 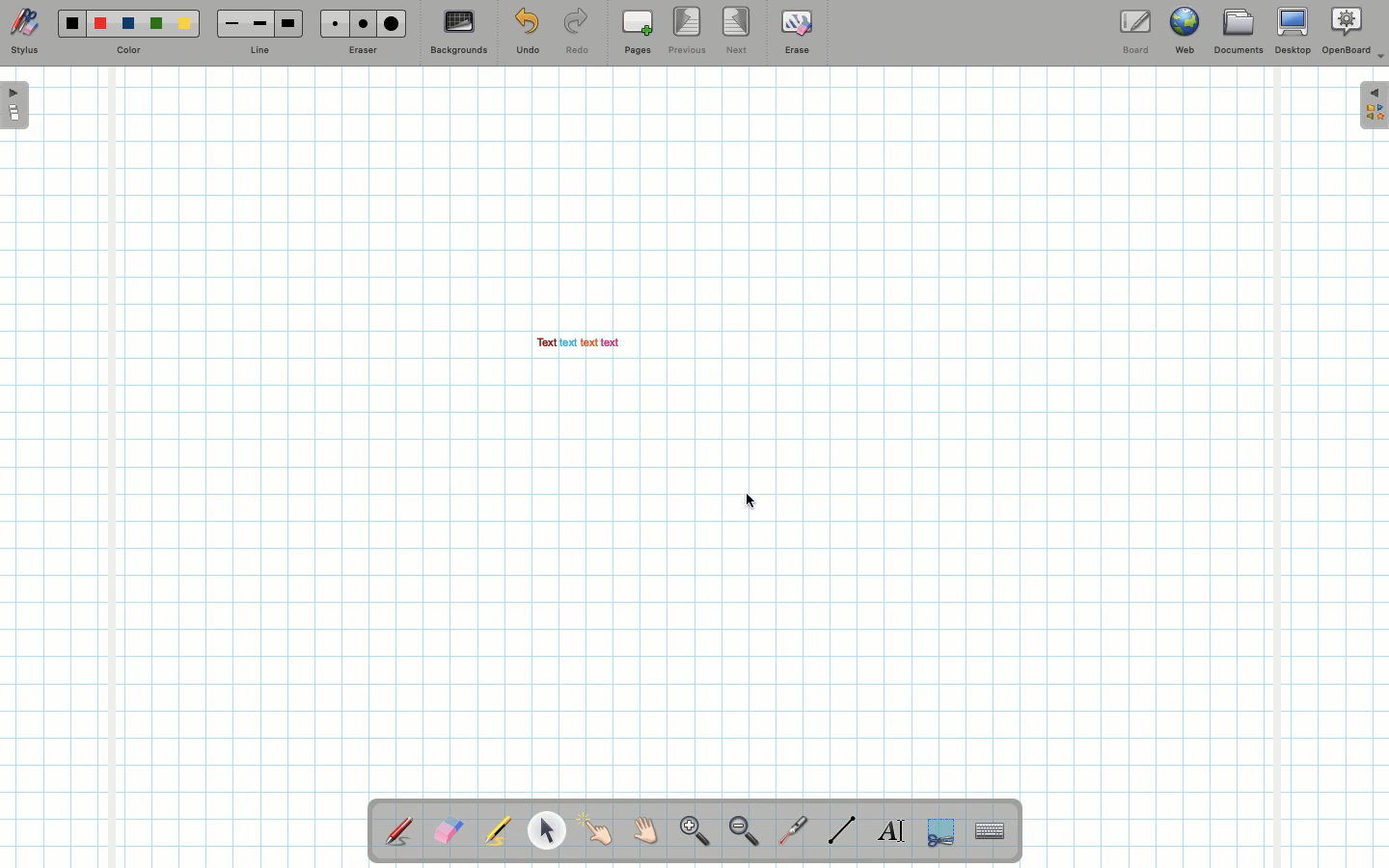 What do you see at coordinates (259, 51) in the screenshot?
I see `Line` at bounding box center [259, 51].